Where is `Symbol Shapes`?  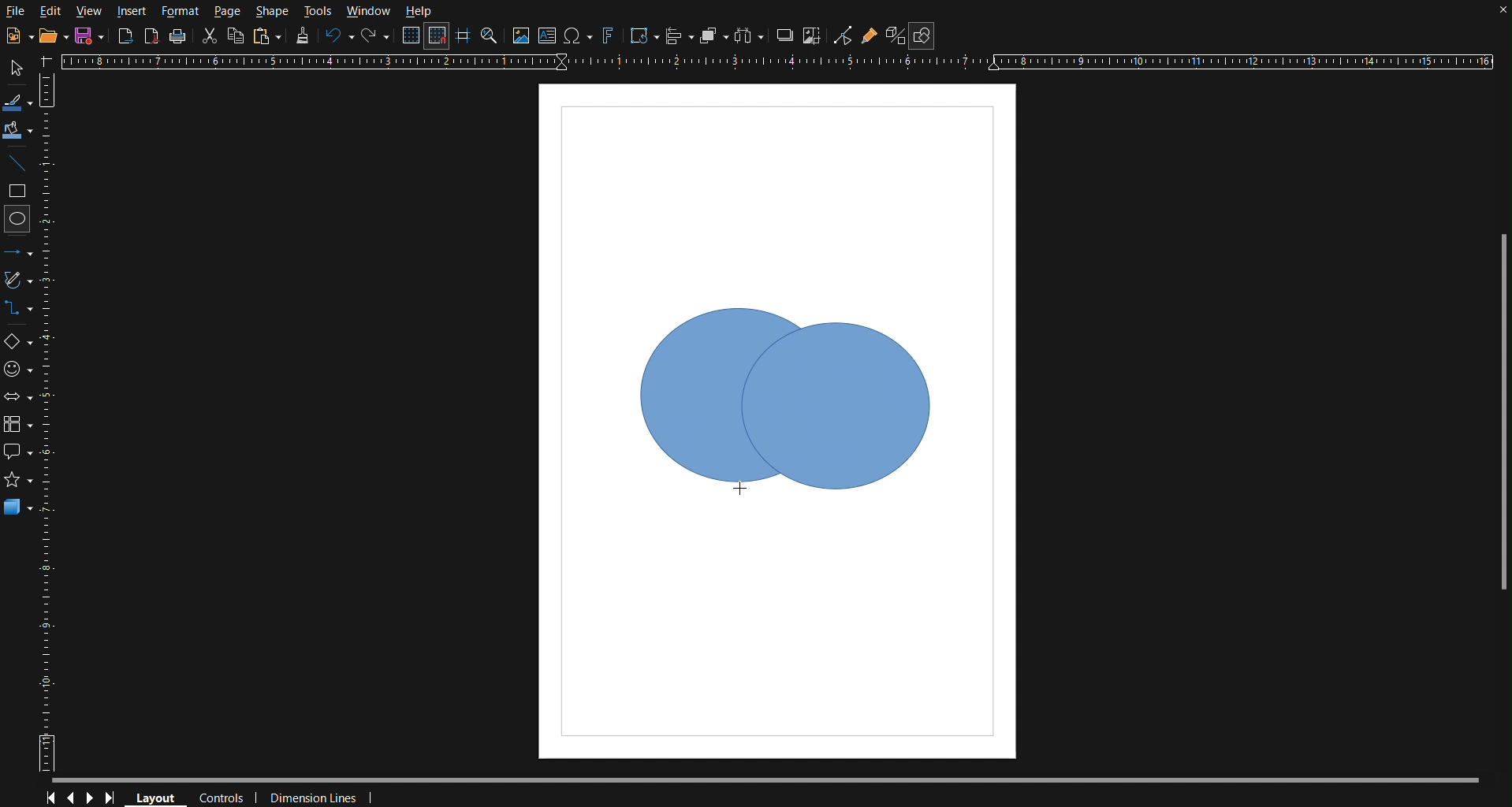
Symbol Shapes is located at coordinates (18, 373).